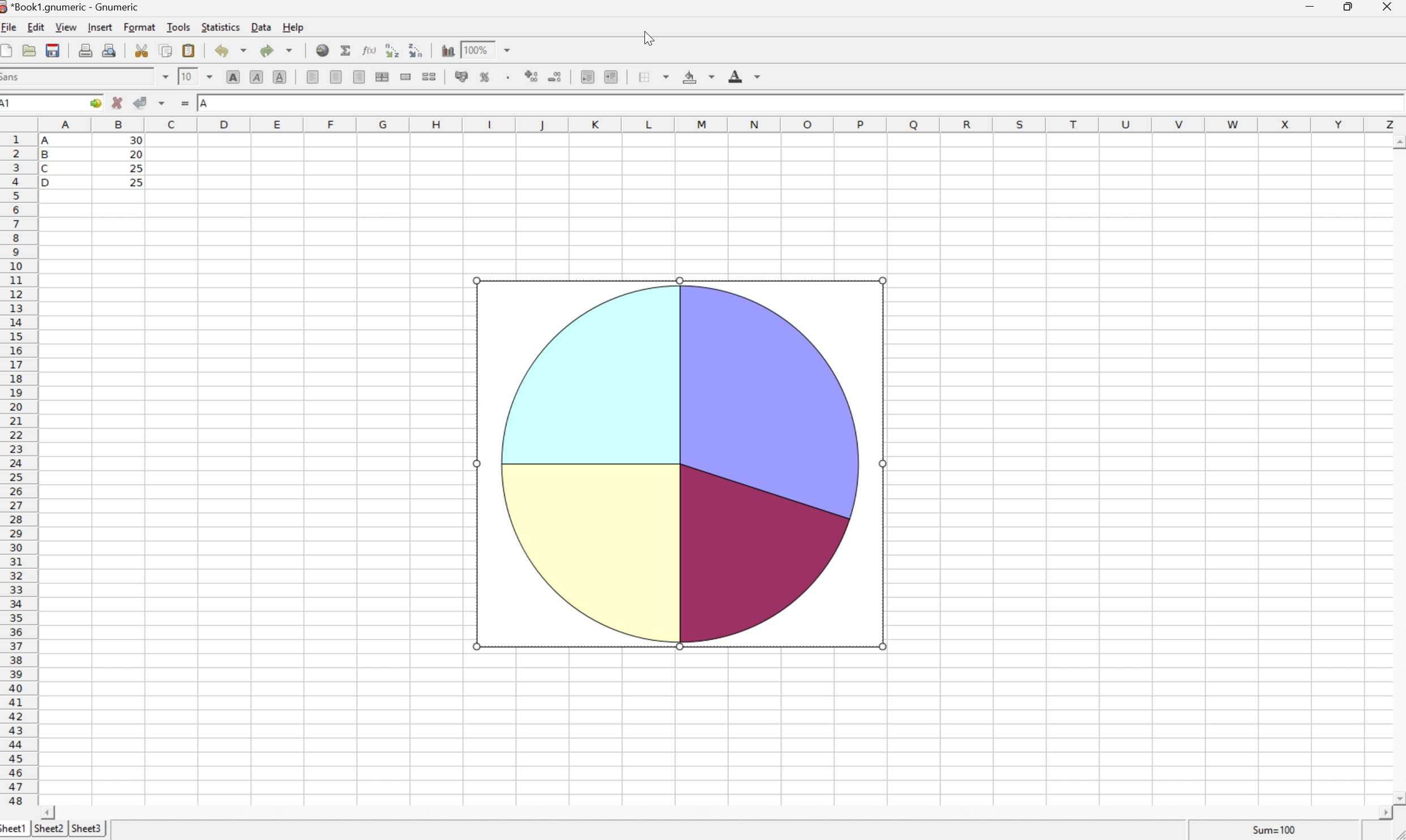 The height and width of the screenshot is (840, 1406). I want to click on A, so click(50, 138).